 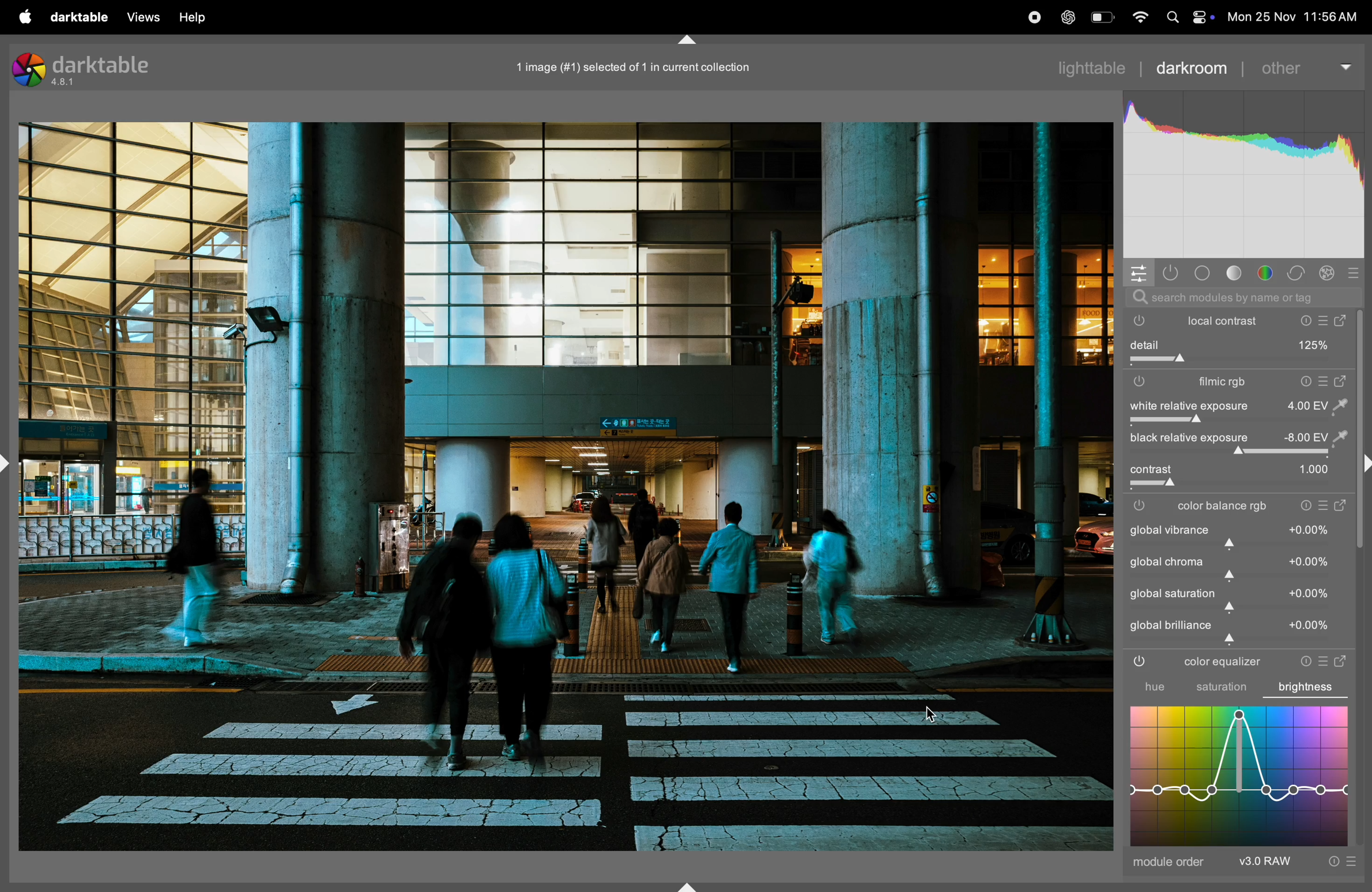 What do you see at coordinates (1311, 685) in the screenshot?
I see `brightness` at bounding box center [1311, 685].